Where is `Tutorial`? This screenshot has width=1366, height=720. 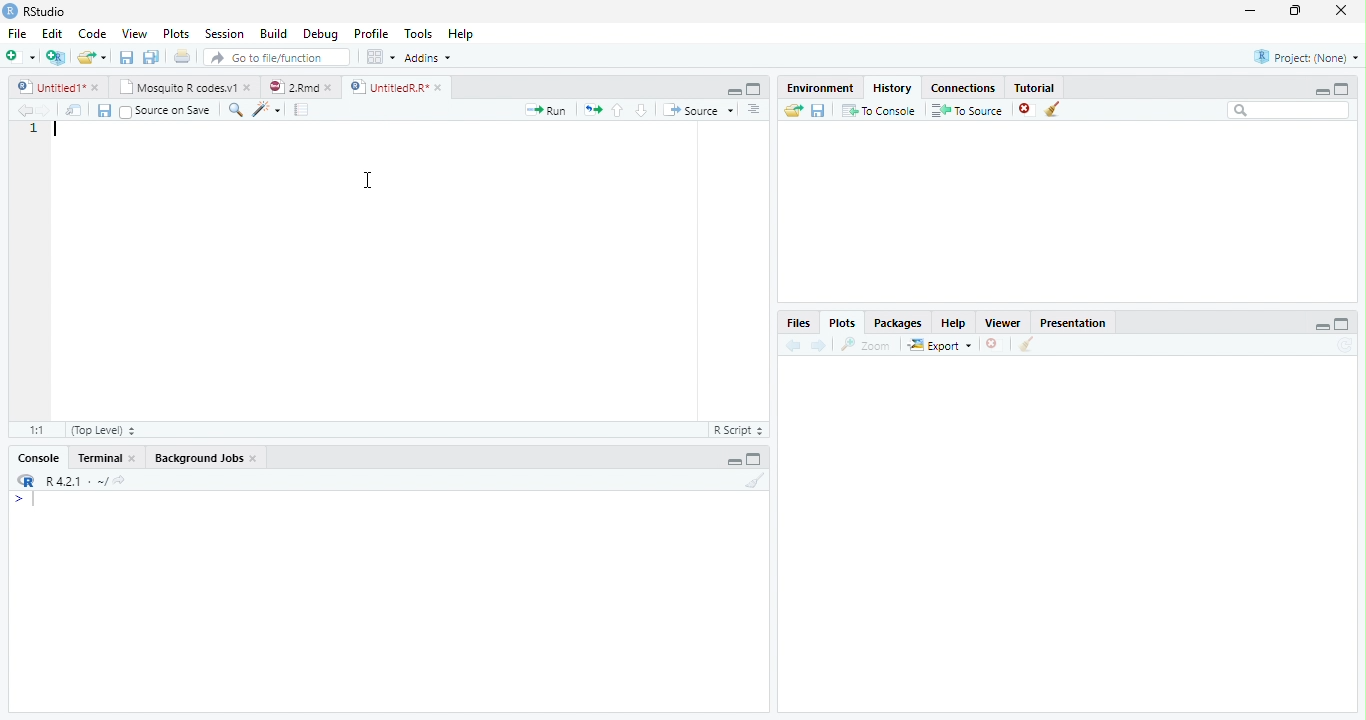
Tutorial is located at coordinates (1036, 87).